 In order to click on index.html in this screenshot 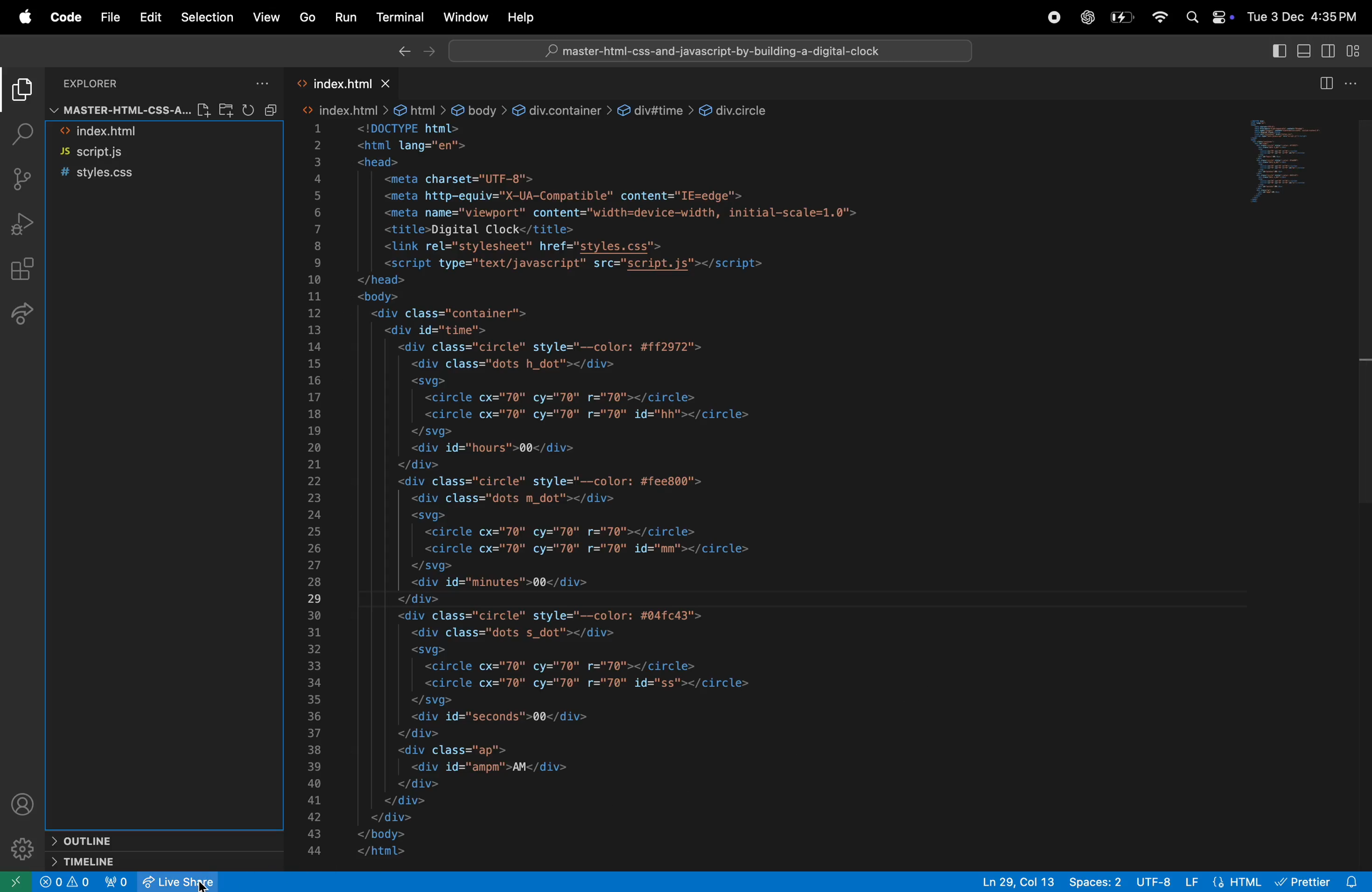, I will do `click(339, 80)`.